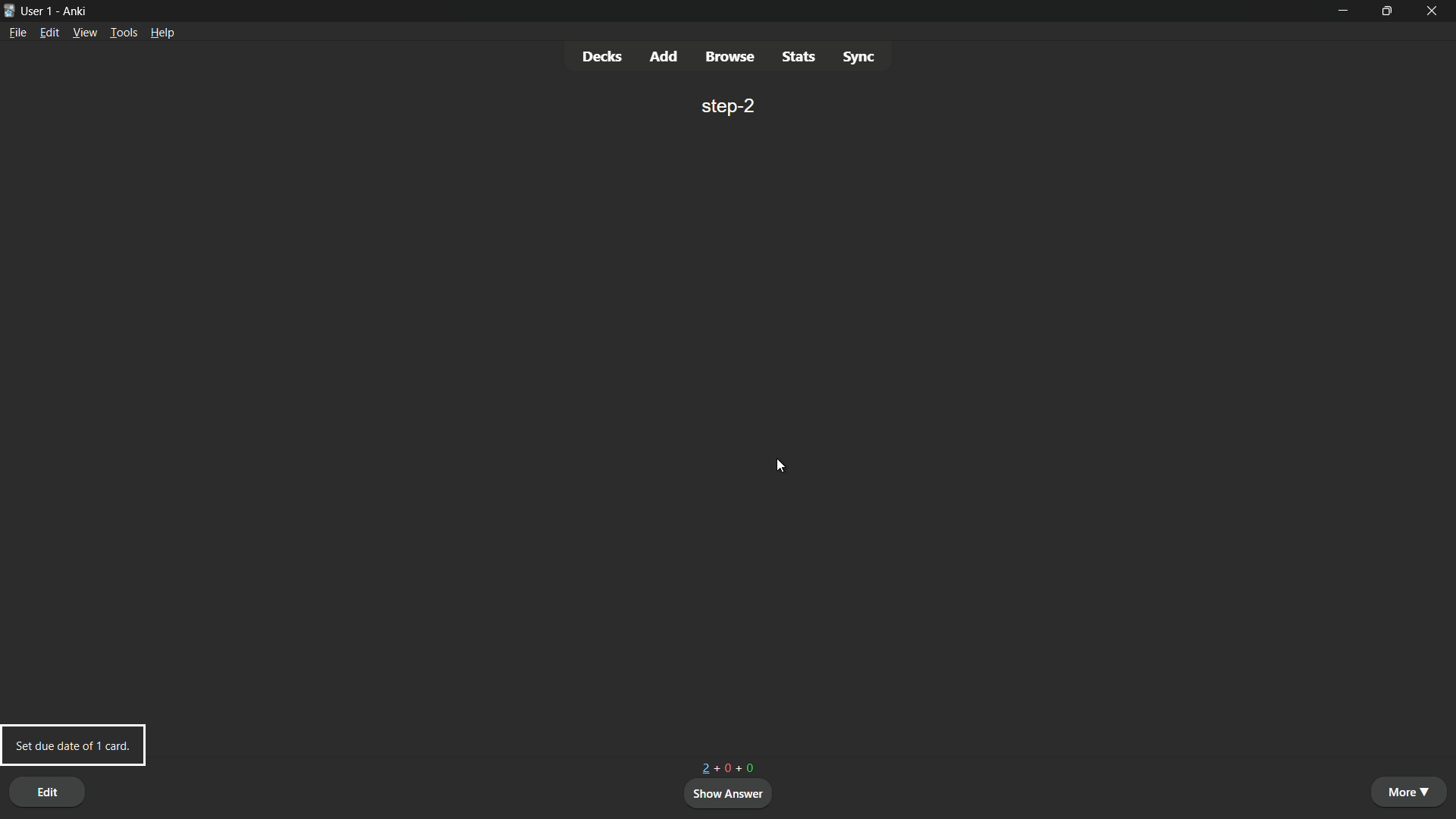 The width and height of the screenshot is (1456, 819). What do you see at coordinates (859, 55) in the screenshot?
I see `sync` at bounding box center [859, 55].